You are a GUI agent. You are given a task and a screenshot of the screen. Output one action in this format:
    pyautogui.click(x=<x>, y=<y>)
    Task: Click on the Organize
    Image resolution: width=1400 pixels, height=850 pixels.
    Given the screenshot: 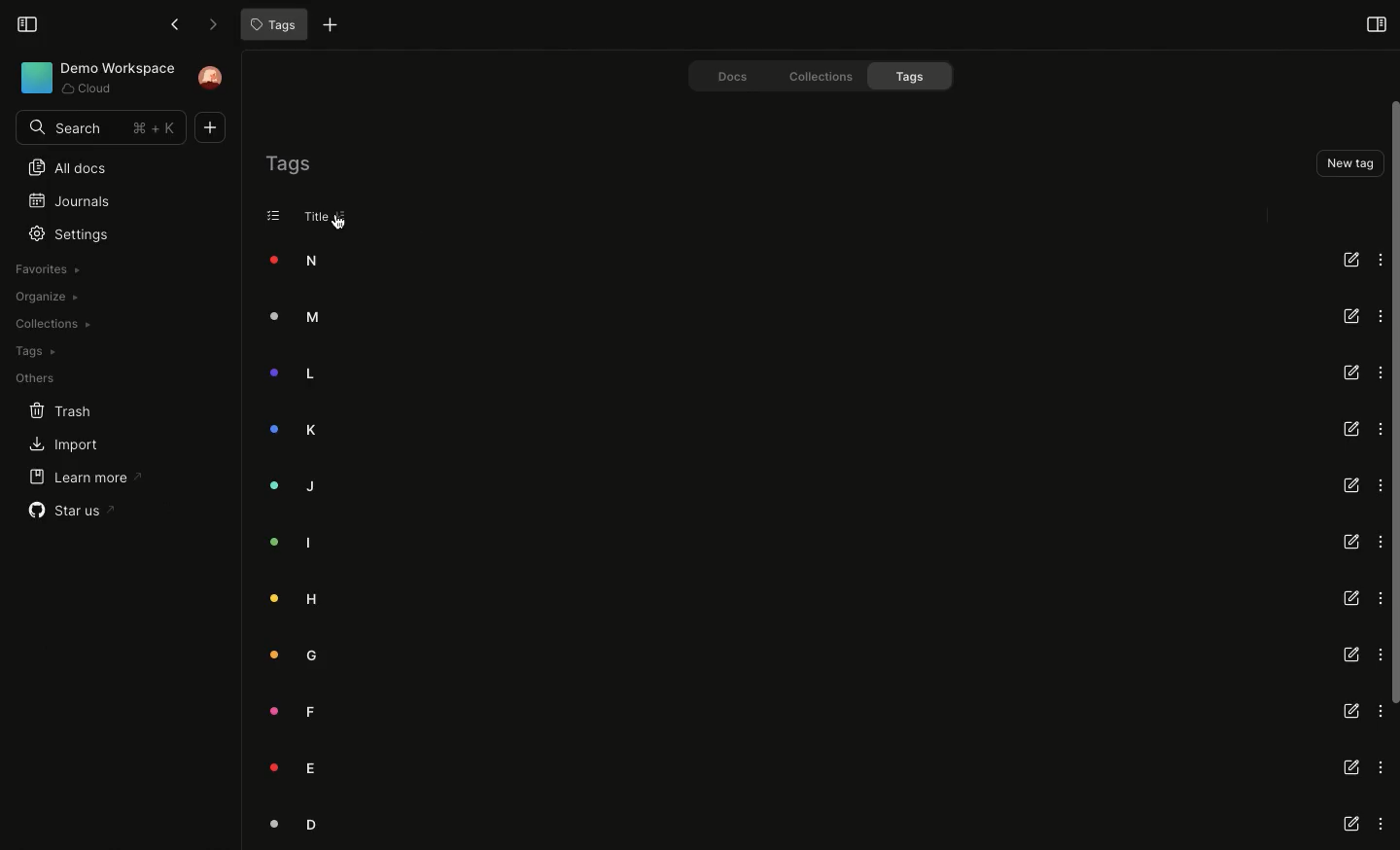 What is the action you would take?
    pyautogui.click(x=44, y=298)
    